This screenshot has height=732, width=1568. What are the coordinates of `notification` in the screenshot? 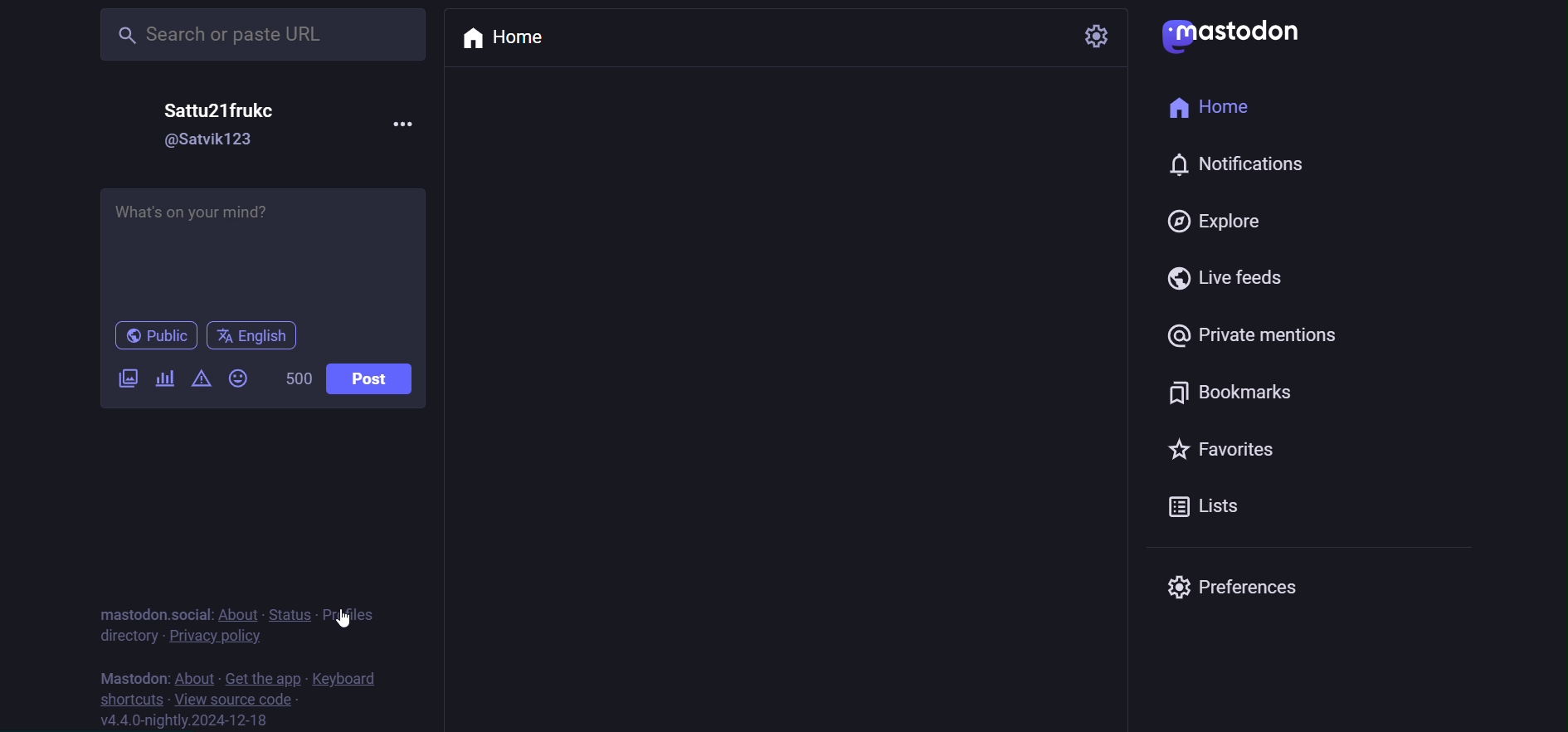 It's located at (1243, 160).